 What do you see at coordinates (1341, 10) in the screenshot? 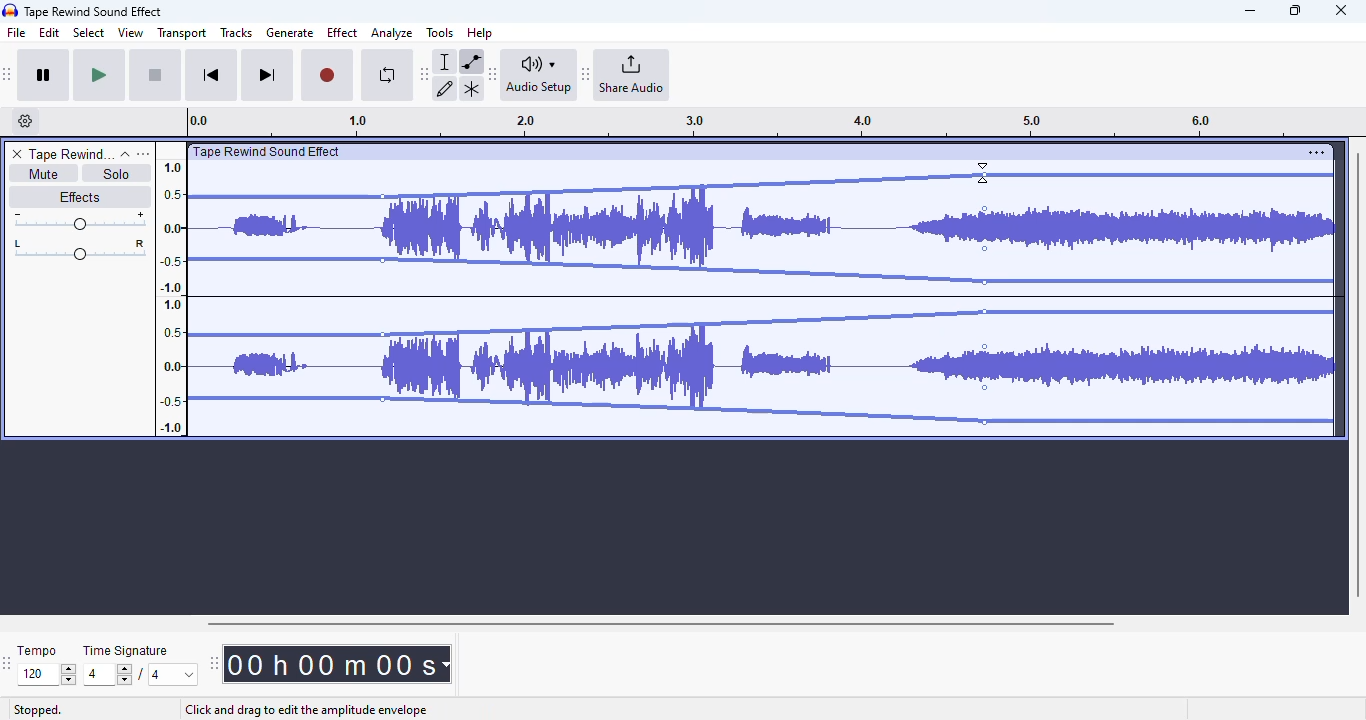
I see `close` at bounding box center [1341, 10].